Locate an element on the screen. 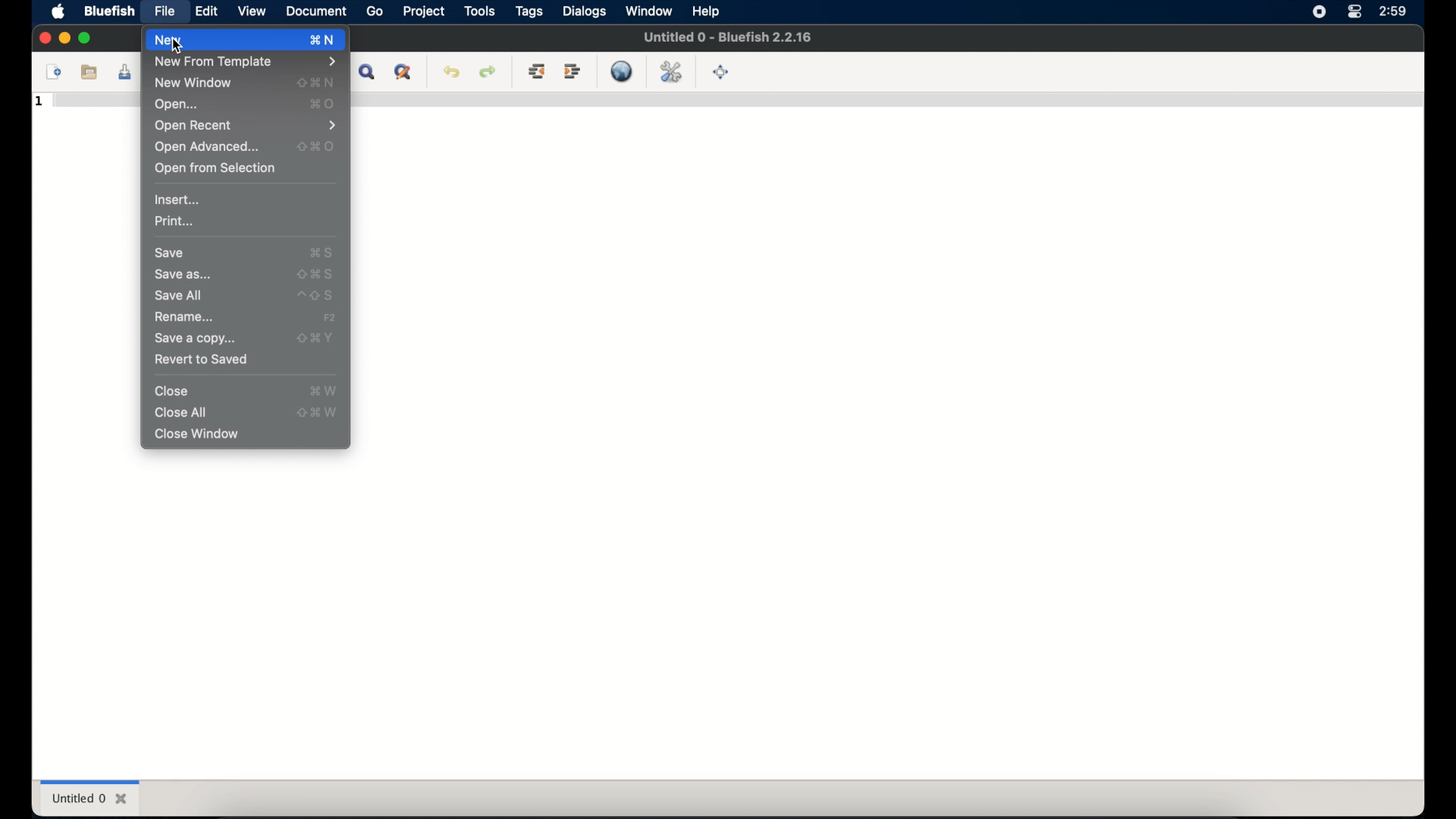 This screenshot has height=819, width=1456. new file is located at coordinates (54, 71).